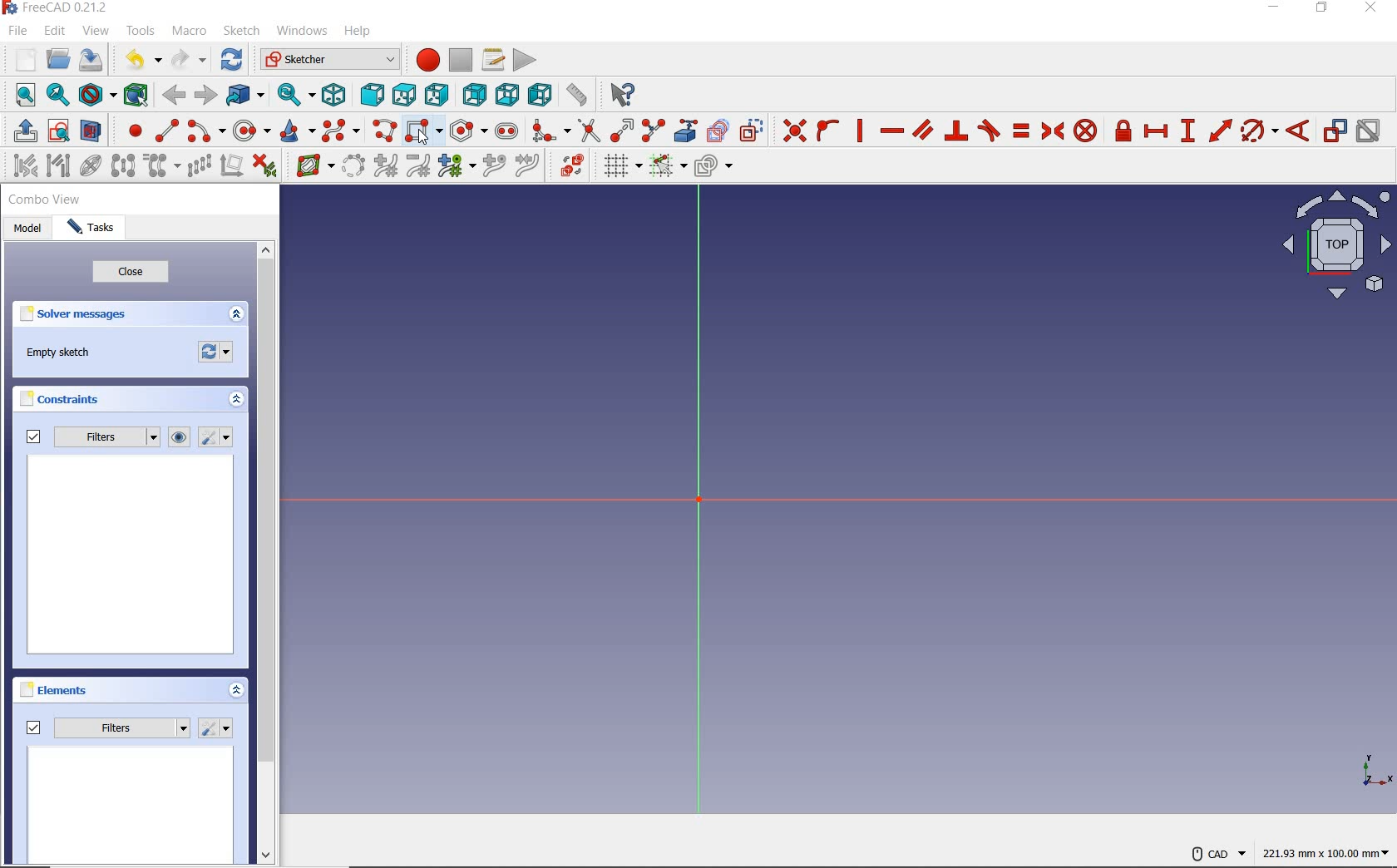  Describe the element at coordinates (1214, 852) in the screenshot. I see `CAD Navigation style` at that location.